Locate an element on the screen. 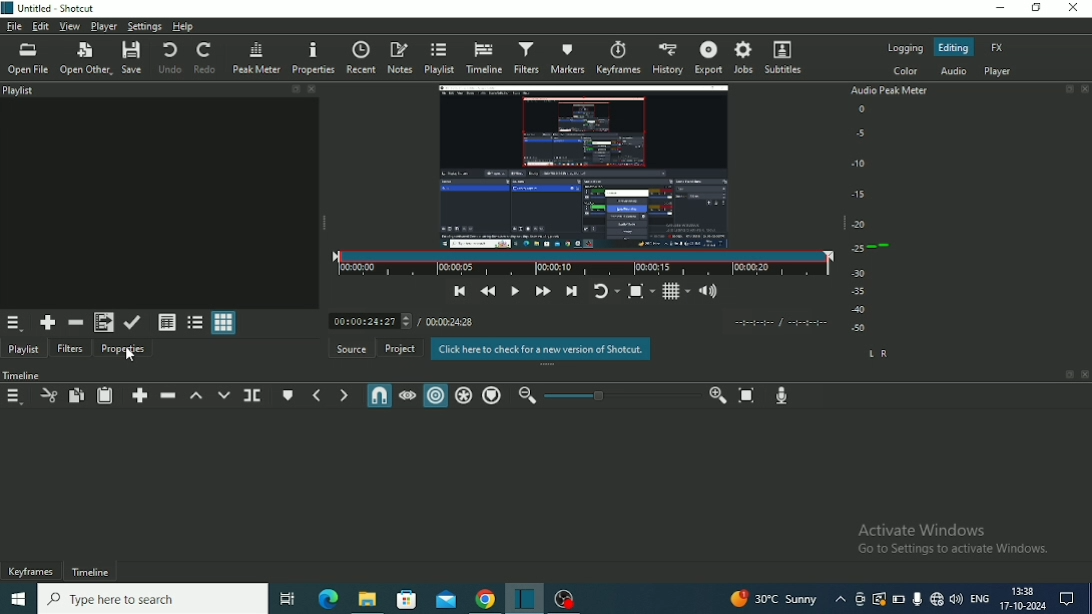  Ripple all tracks is located at coordinates (463, 396).